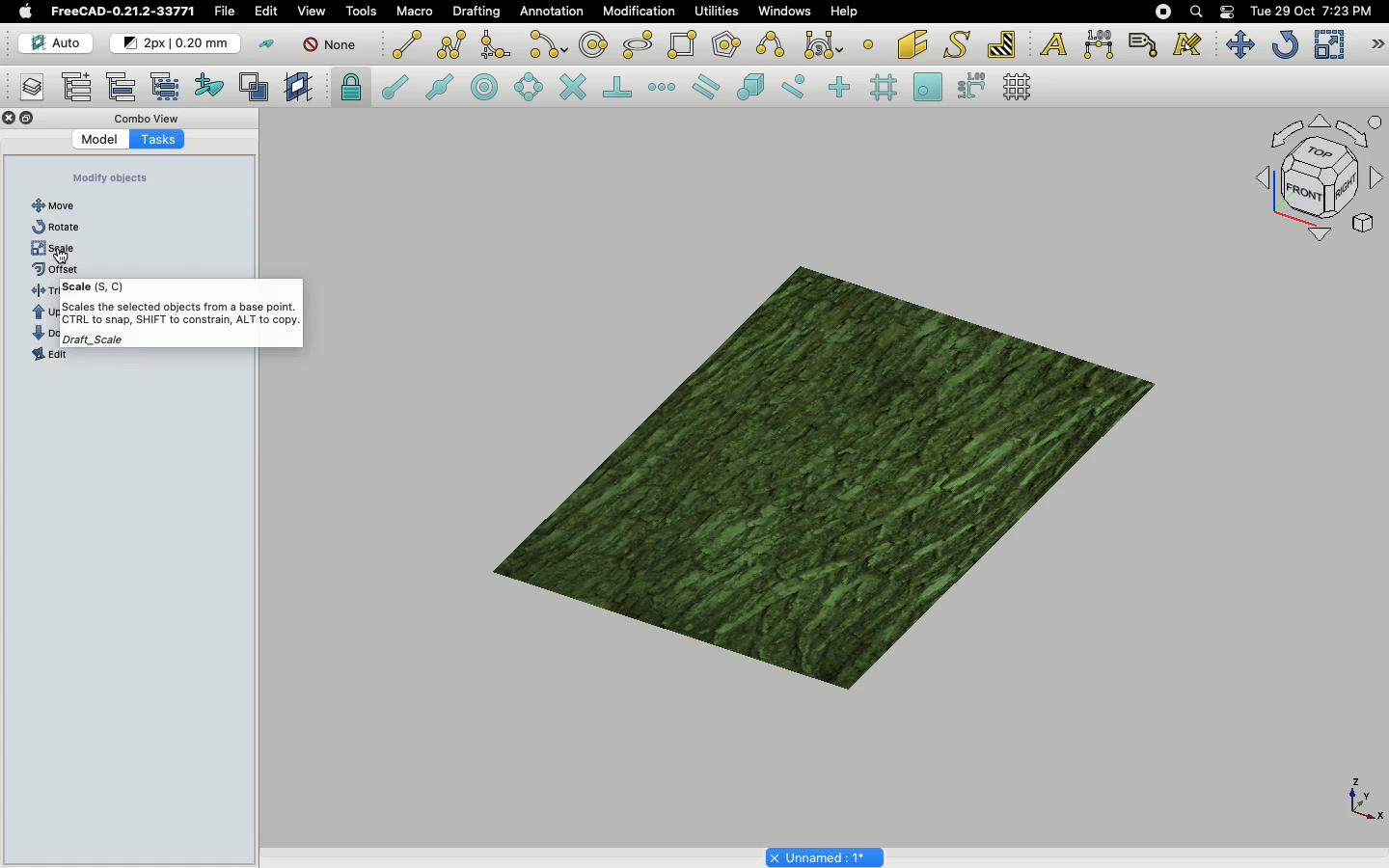 The width and height of the screenshot is (1389, 868). What do you see at coordinates (748, 85) in the screenshot?
I see `Snap special` at bounding box center [748, 85].